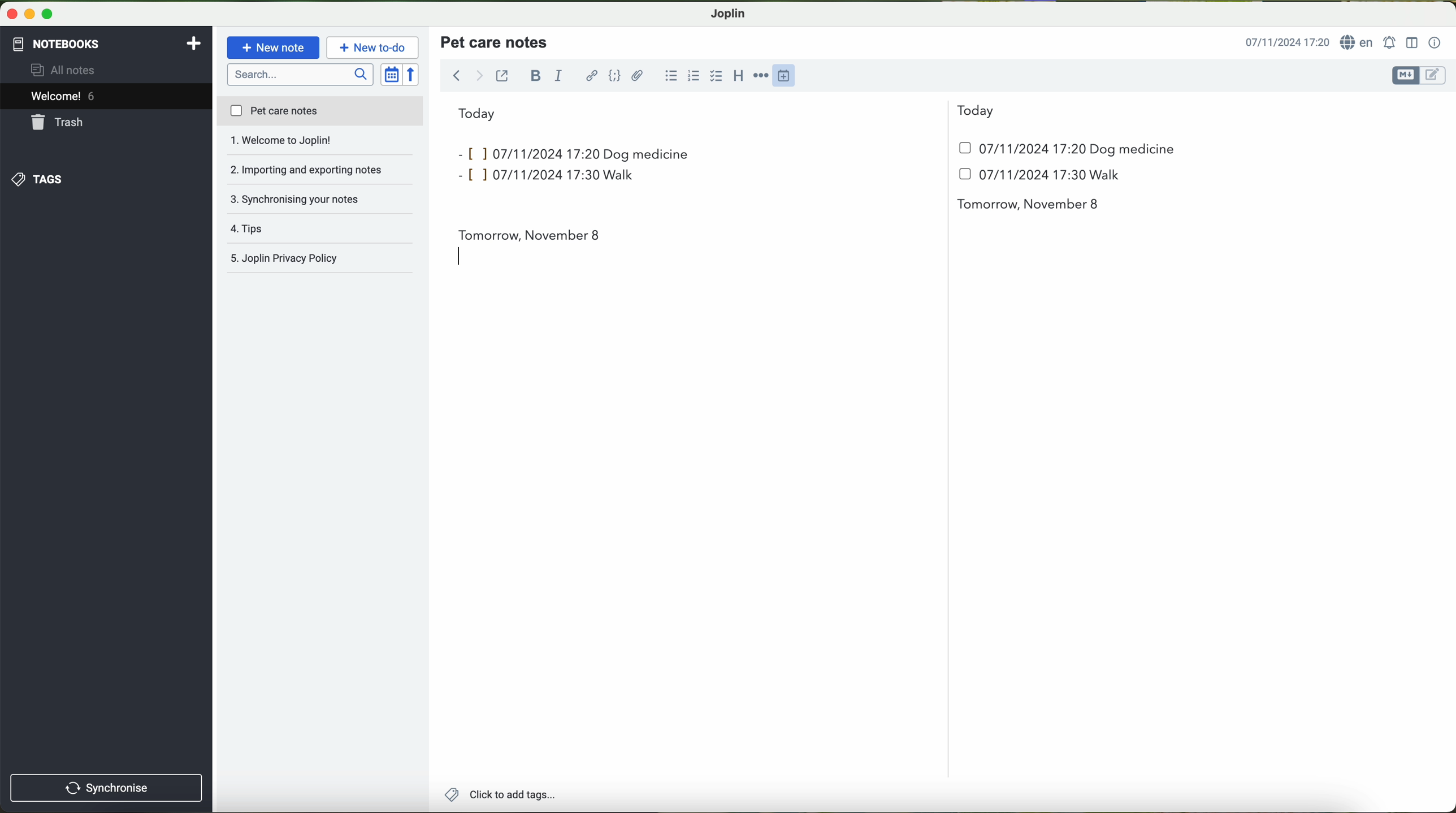 The image size is (1456, 813). Describe the element at coordinates (106, 788) in the screenshot. I see `synchronise button` at that location.